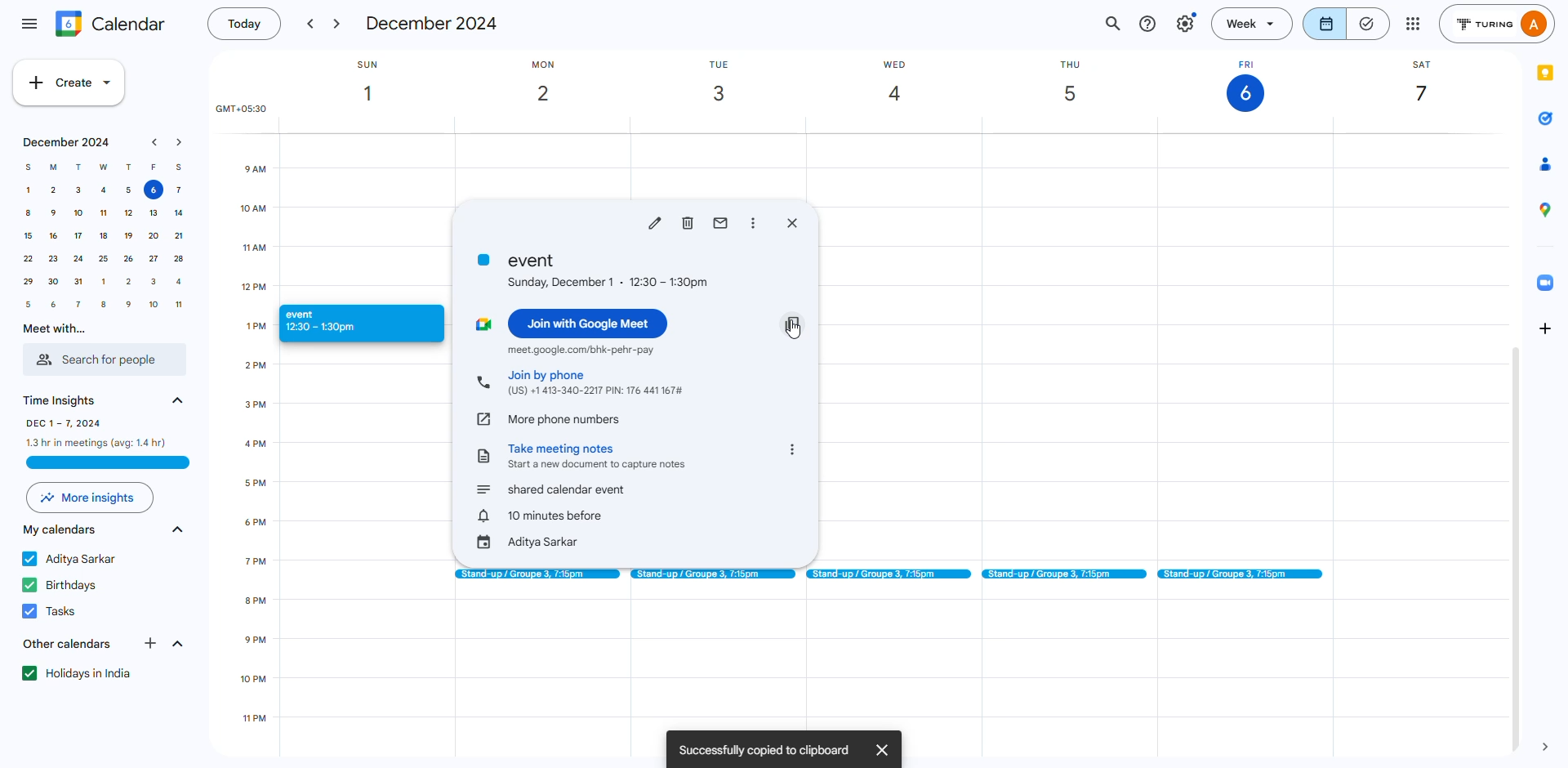  Describe the element at coordinates (52, 609) in the screenshot. I see `task` at that location.